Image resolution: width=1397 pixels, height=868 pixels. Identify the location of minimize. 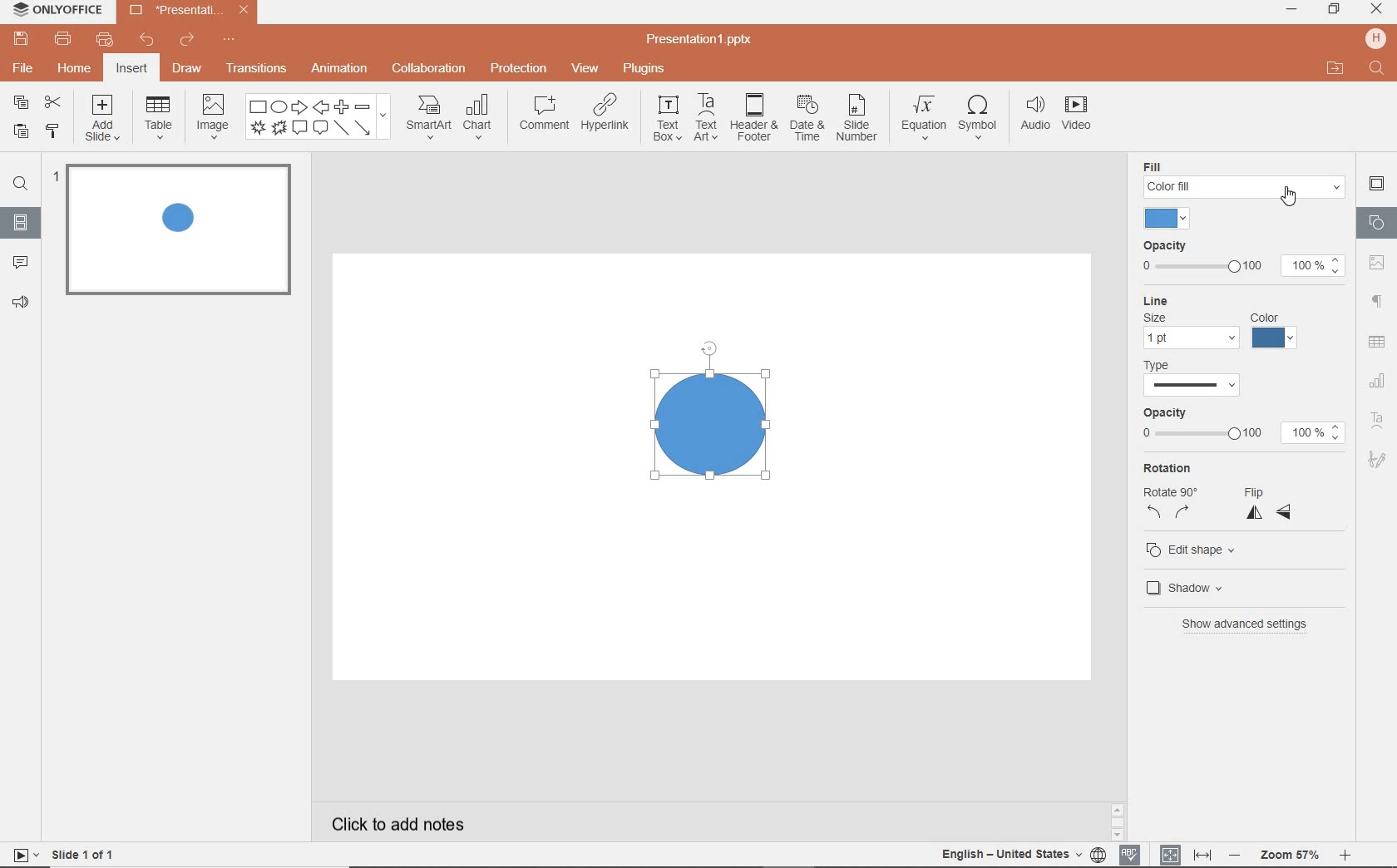
(1293, 9).